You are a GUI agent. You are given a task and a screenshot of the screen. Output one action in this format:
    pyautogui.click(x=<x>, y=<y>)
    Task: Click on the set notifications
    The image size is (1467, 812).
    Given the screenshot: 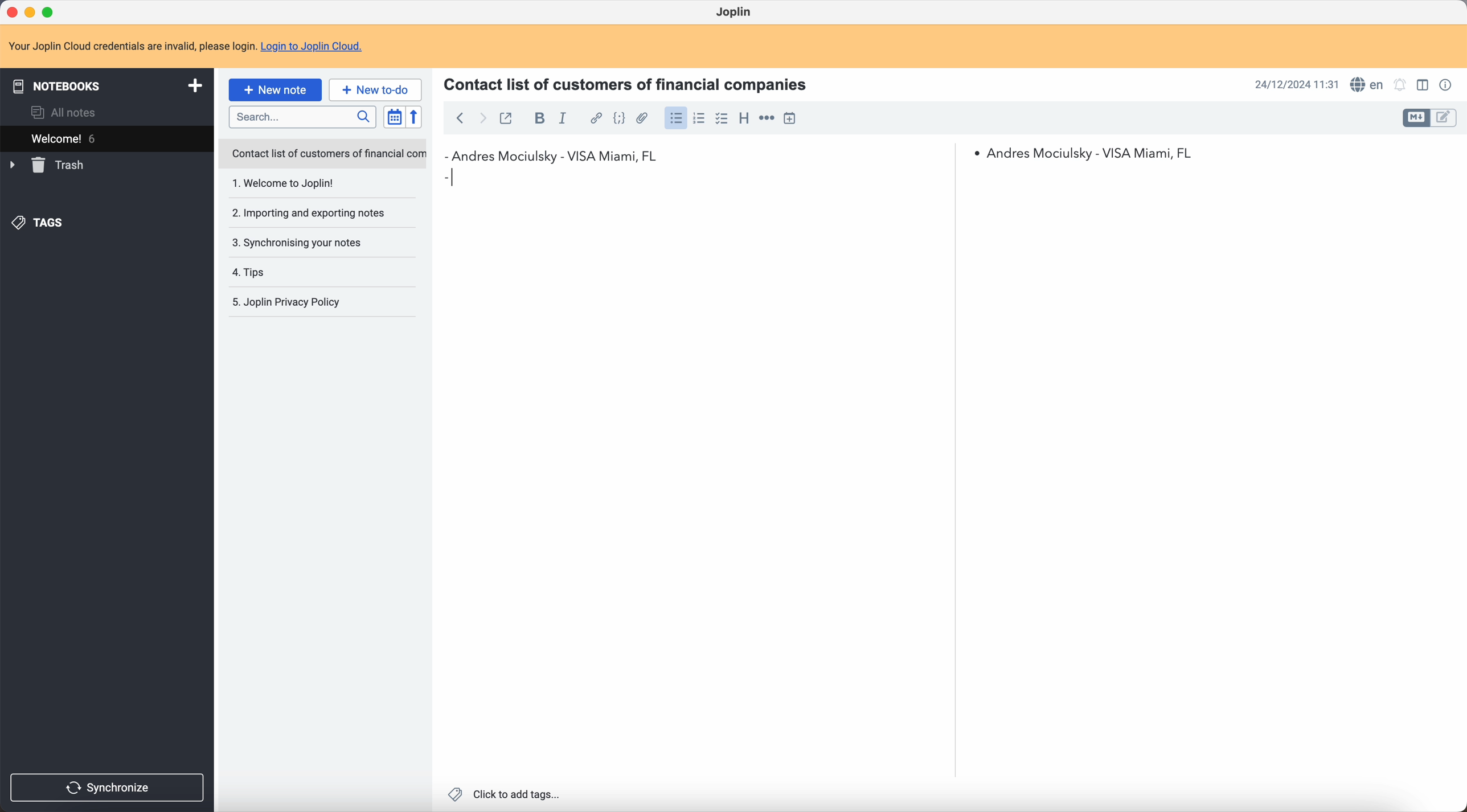 What is the action you would take?
    pyautogui.click(x=1400, y=85)
    